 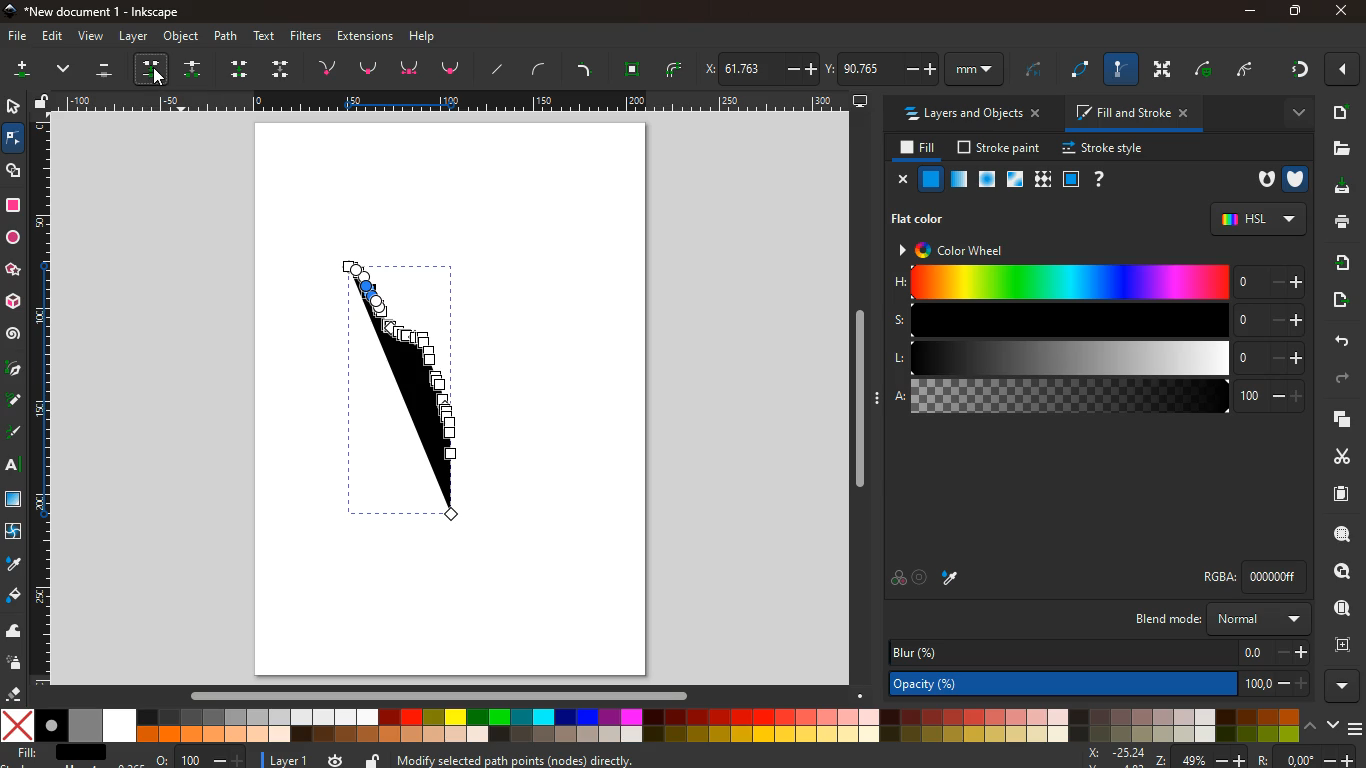 What do you see at coordinates (16, 434) in the screenshot?
I see `pencil tool` at bounding box center [16, 434].